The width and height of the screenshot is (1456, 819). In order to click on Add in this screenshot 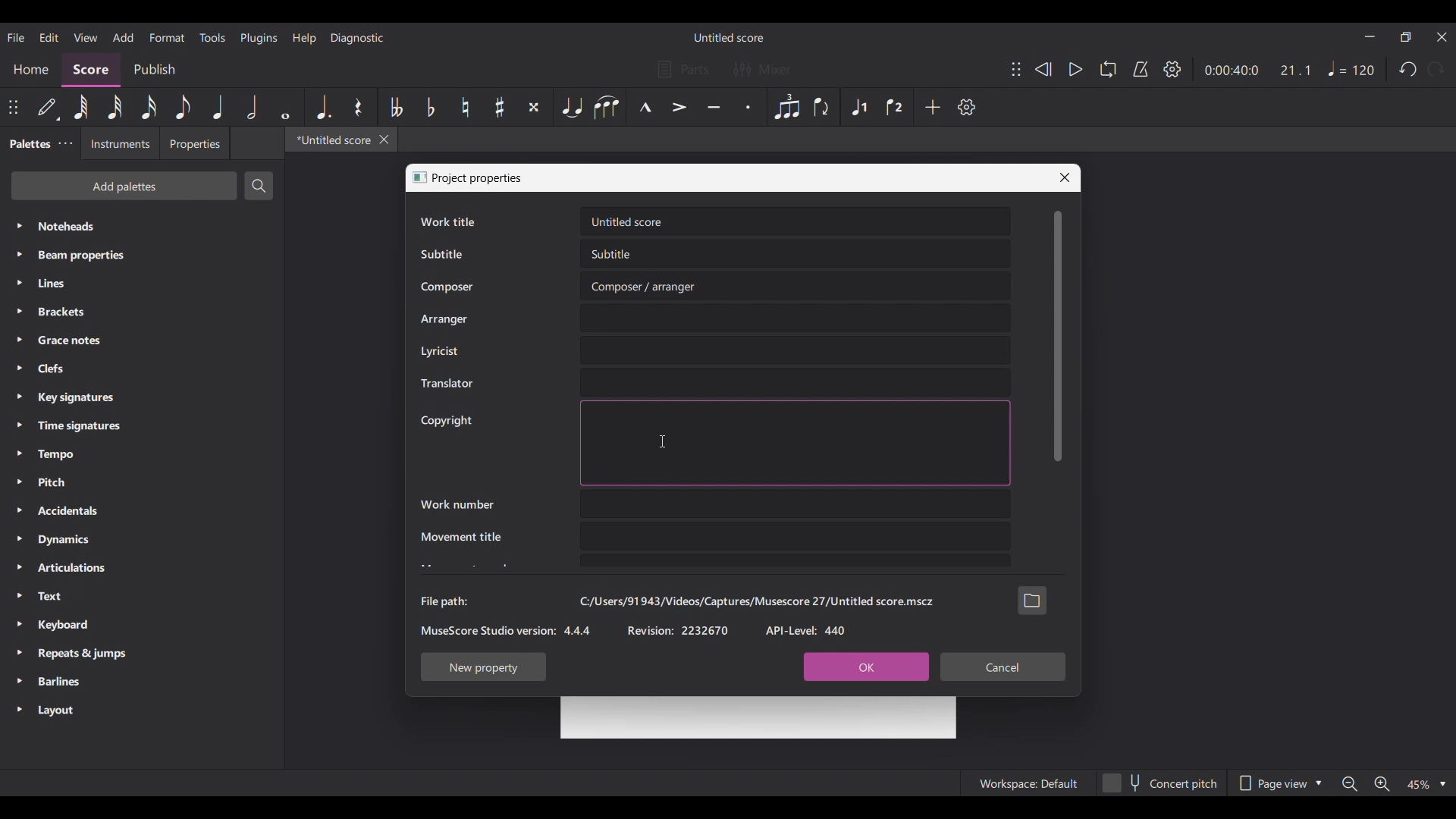, I will do `click(932, 107)`.